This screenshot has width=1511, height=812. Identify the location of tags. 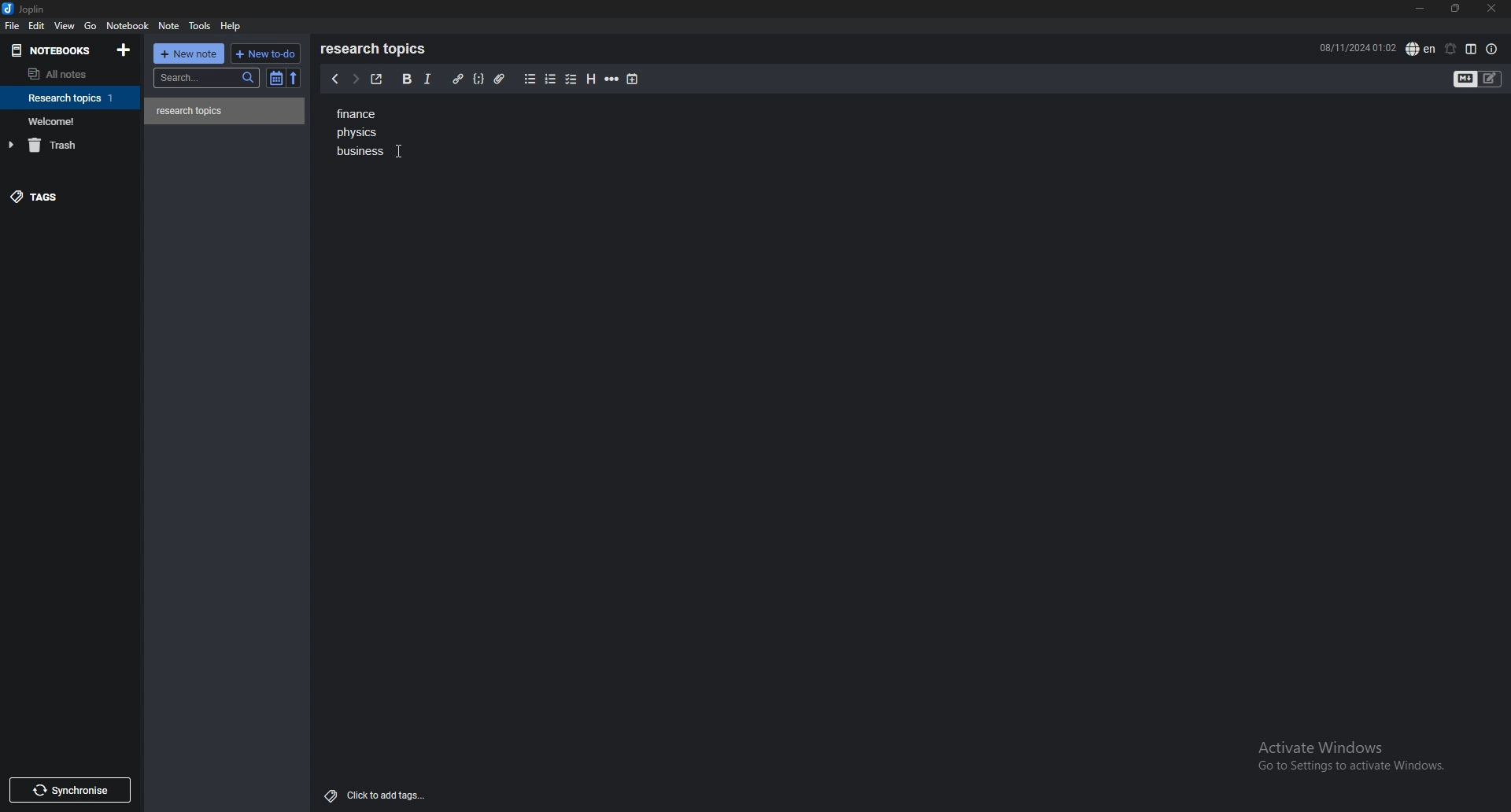
(67, 200).